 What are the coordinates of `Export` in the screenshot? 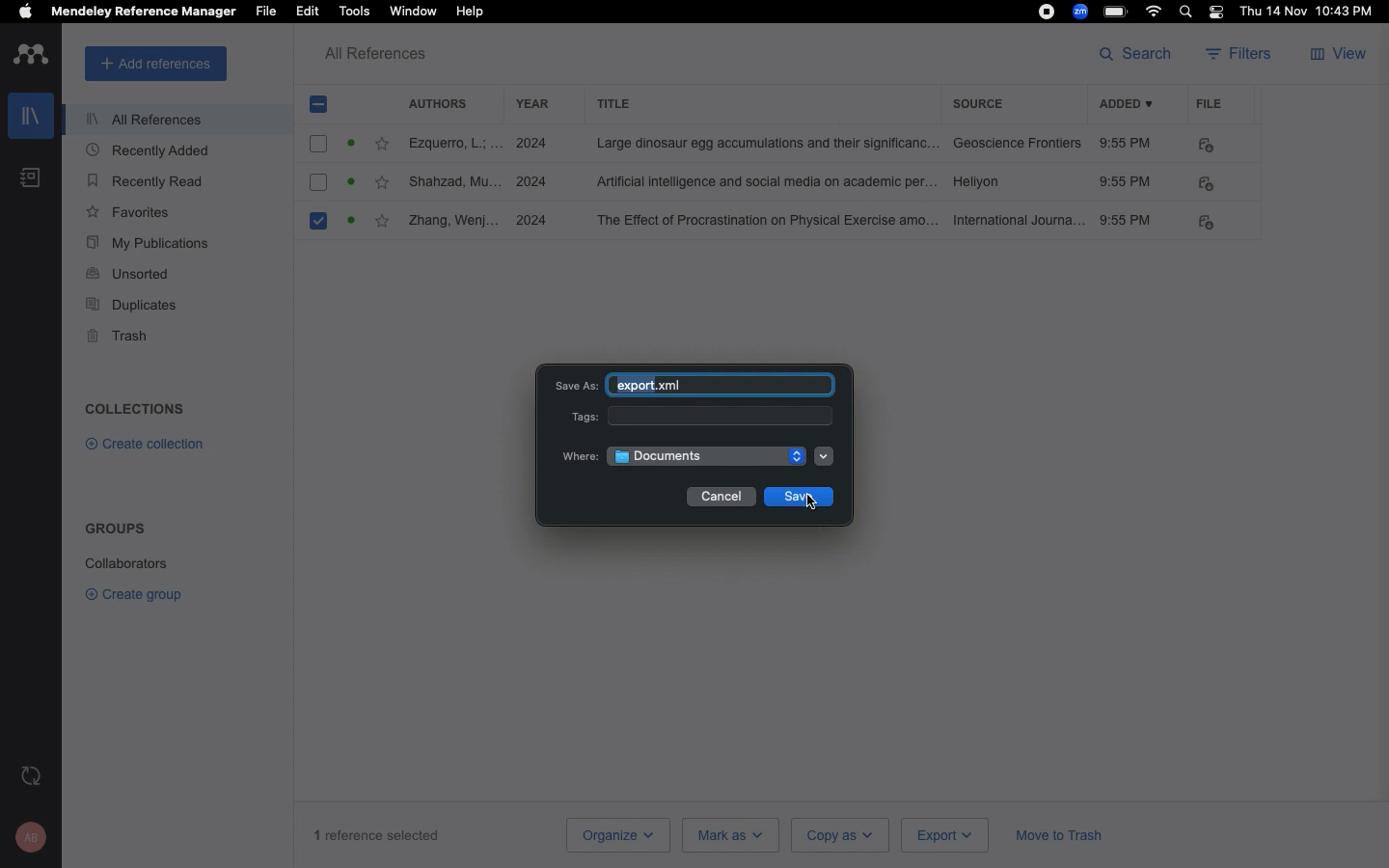 It's located at (944, 835).